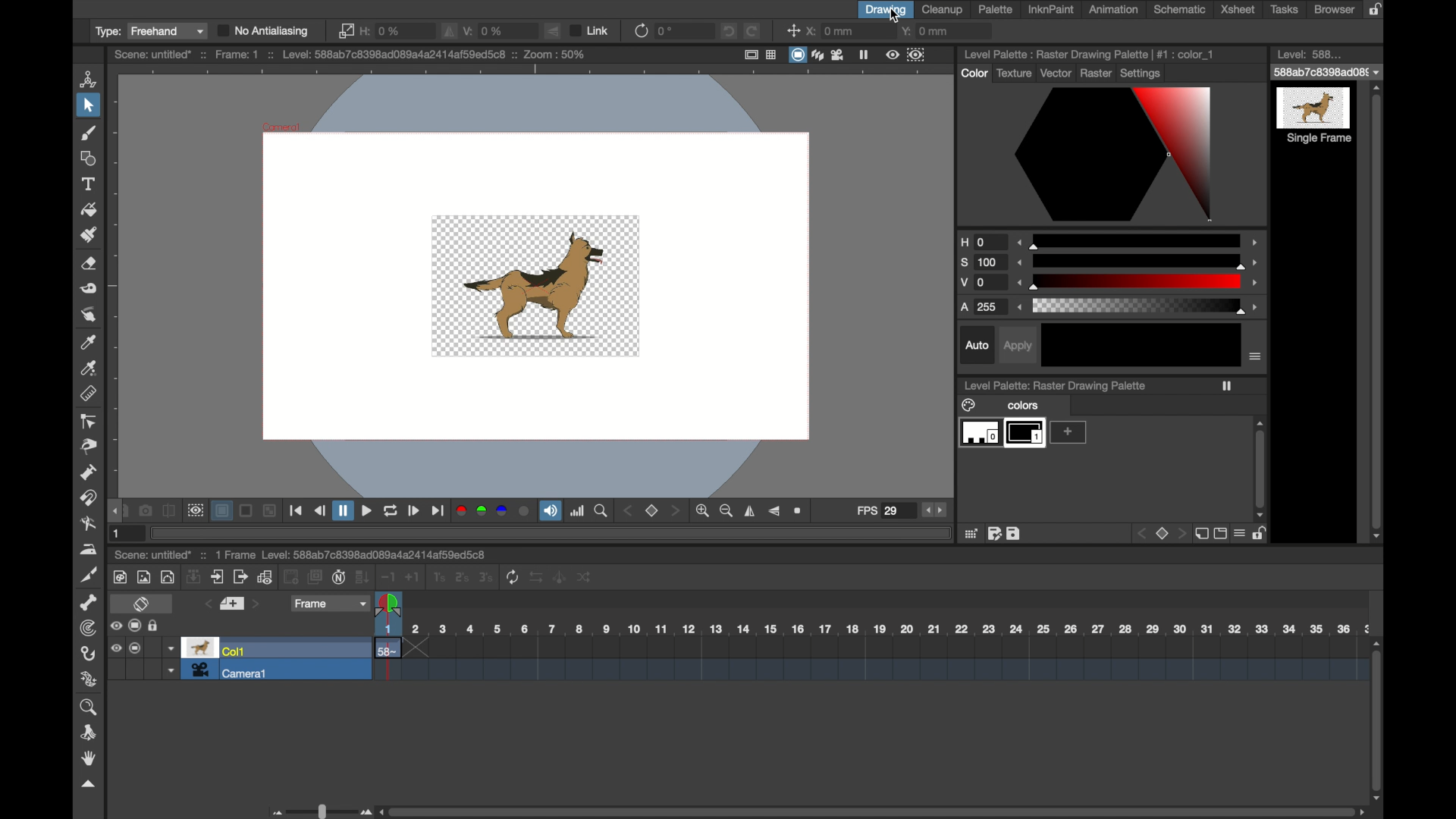 The width and height of the screenshot is (1456, 819). What do you see at coordinates (245, 511) in the screenshot?
I see `backgrounds` at bounding box center [245, 511].